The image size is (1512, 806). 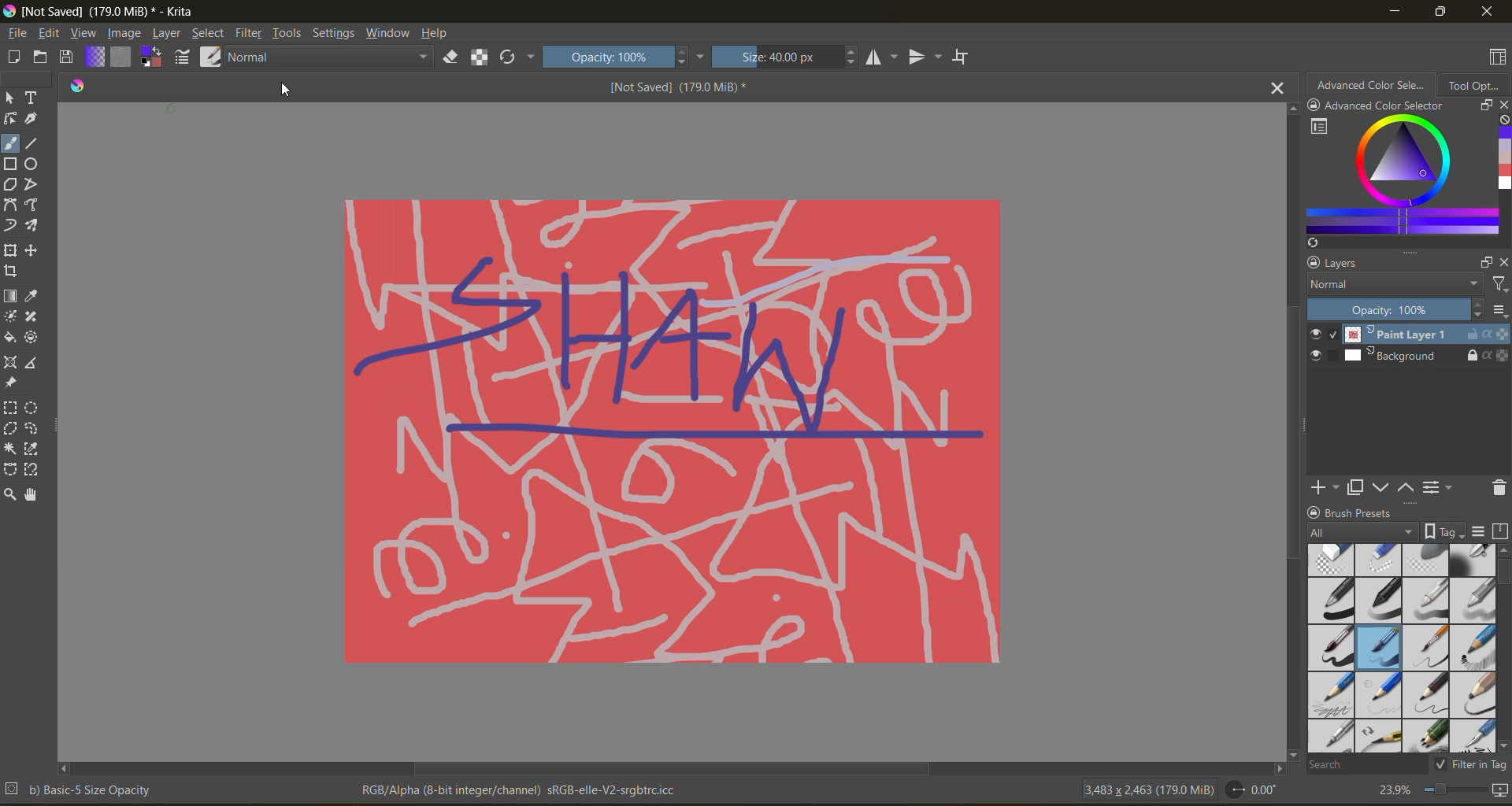 What do you see at coordinates (286, 90) in the screenshot?
I see `cursor` at bounding box center [286, 90].